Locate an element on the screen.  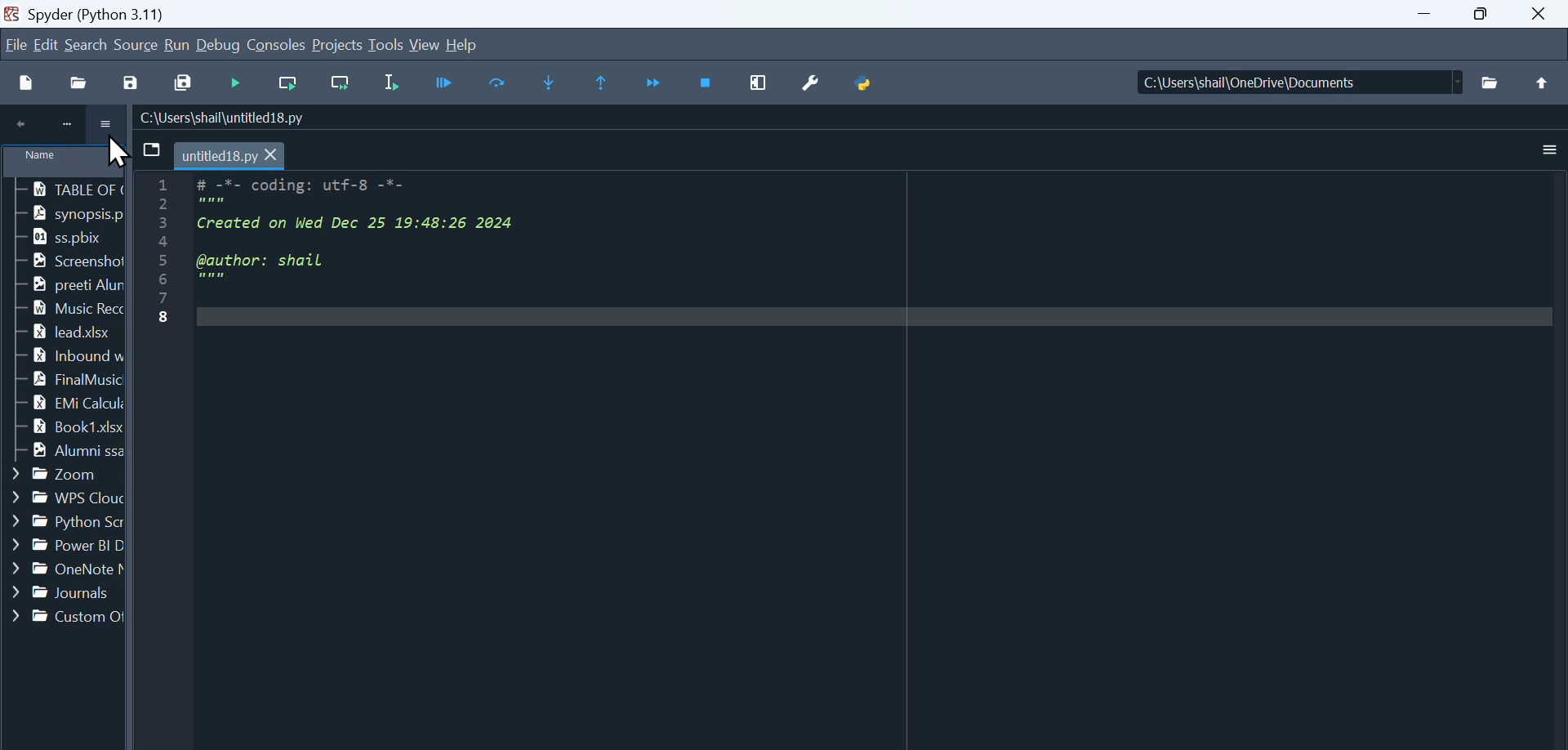
OneNote.. is located at coordinates (63, 571).